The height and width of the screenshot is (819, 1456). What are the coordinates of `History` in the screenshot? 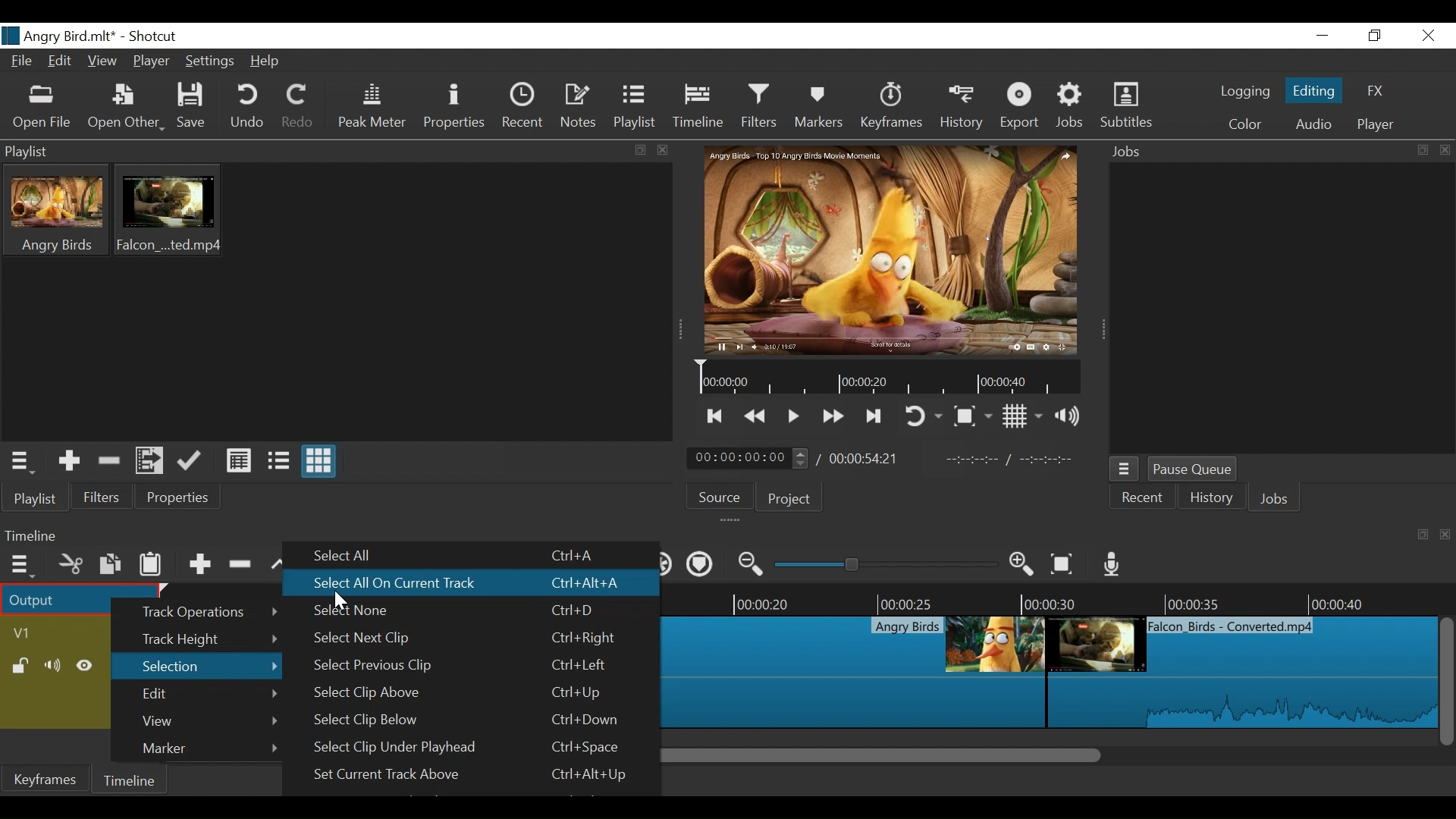 It's located at (1213, 497).